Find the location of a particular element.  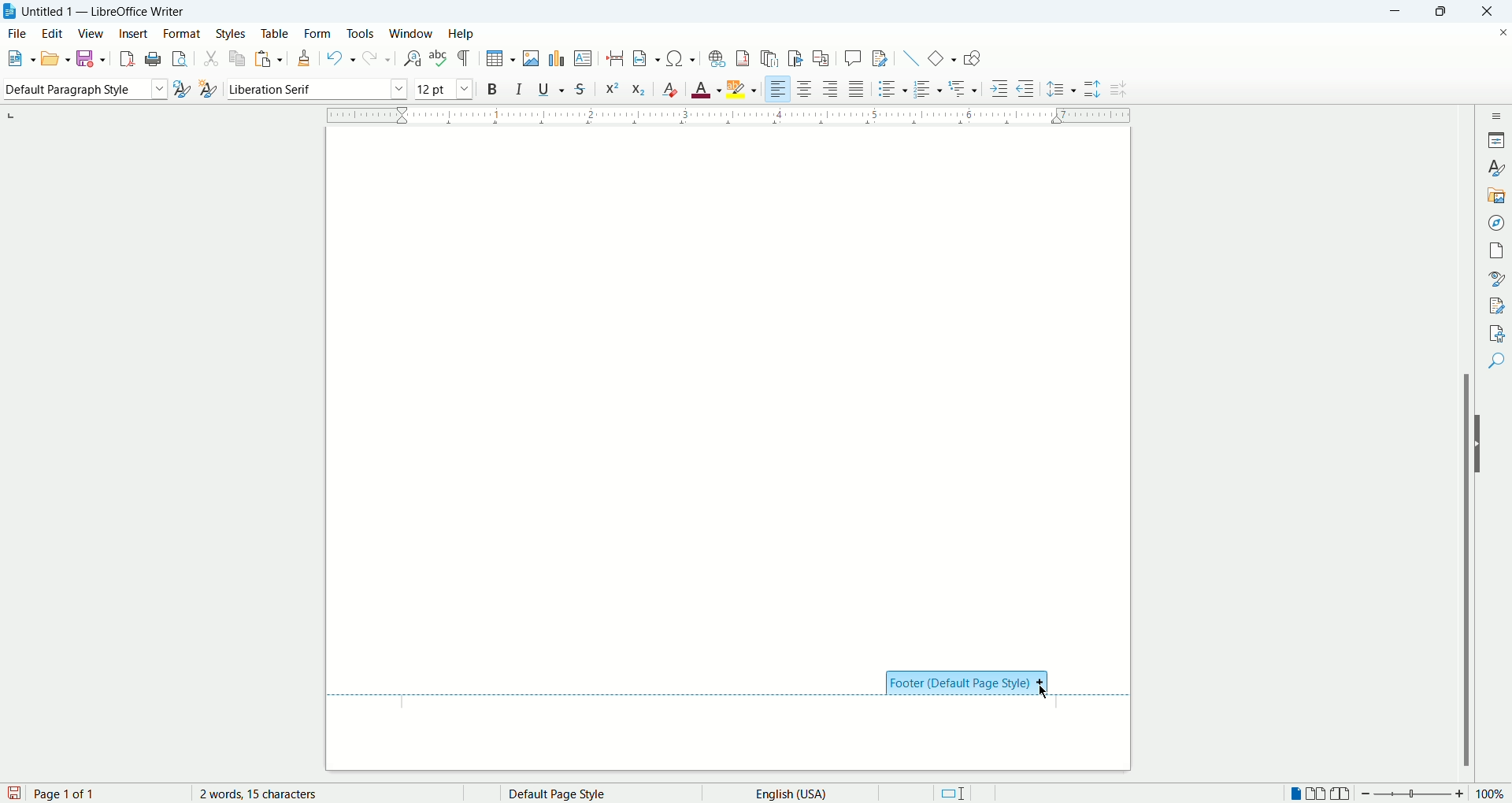

redo is located at coordinates (375, 59).